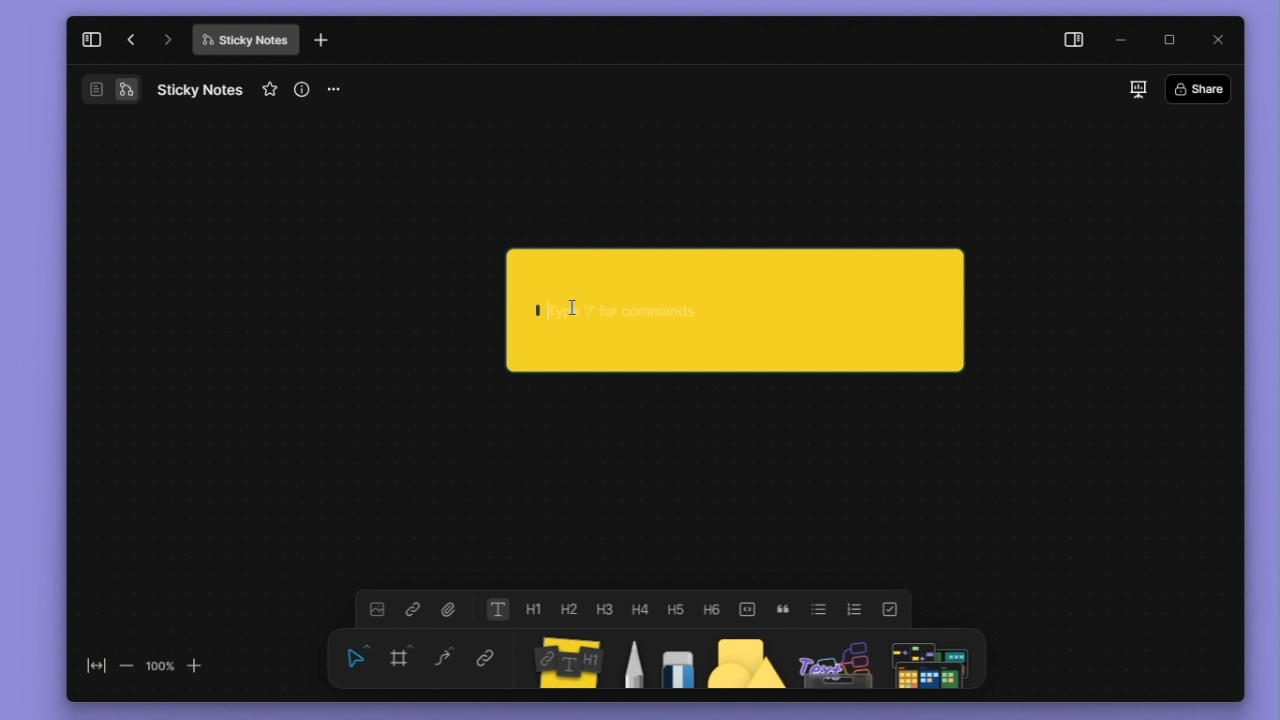 The height and width of the screenshot is (720, 1280). Describe the element at coordinates (753, 609) in the screenshot. I see `toogle buttons` at that location.